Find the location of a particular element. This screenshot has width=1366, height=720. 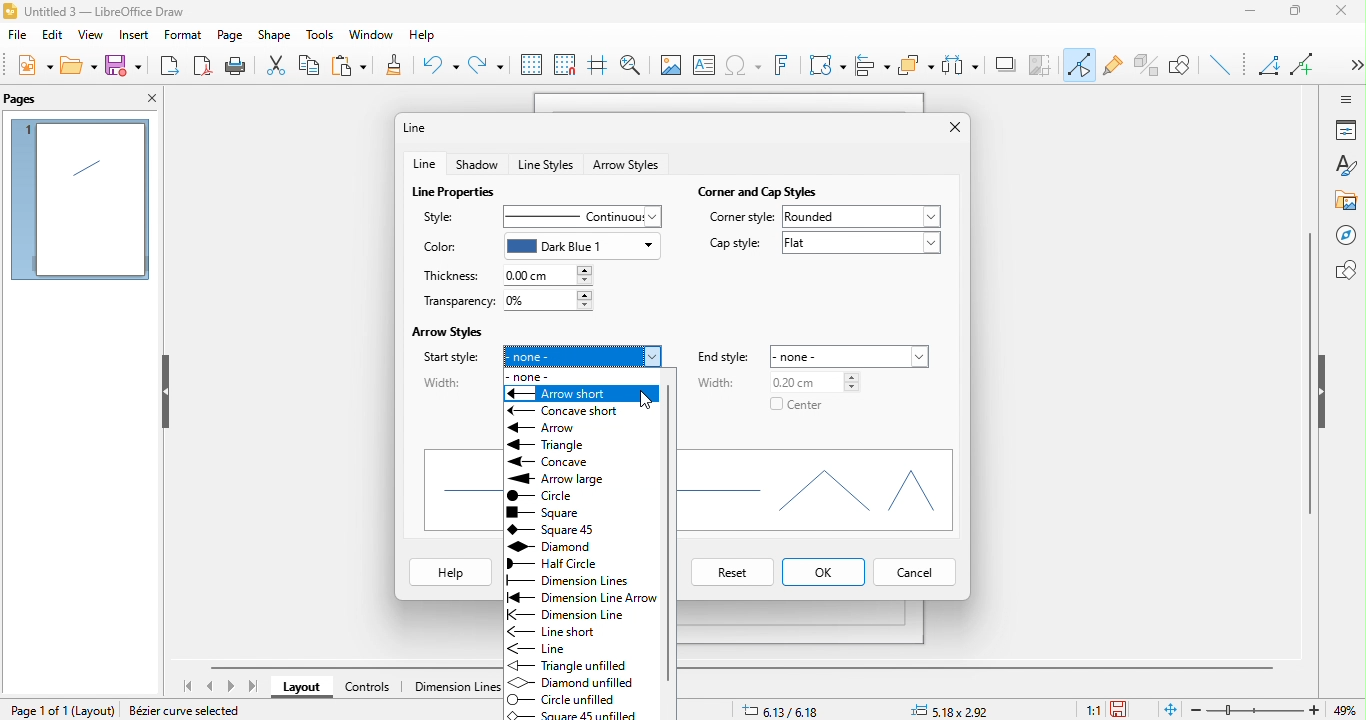

view is located at coordinates (88, 38).